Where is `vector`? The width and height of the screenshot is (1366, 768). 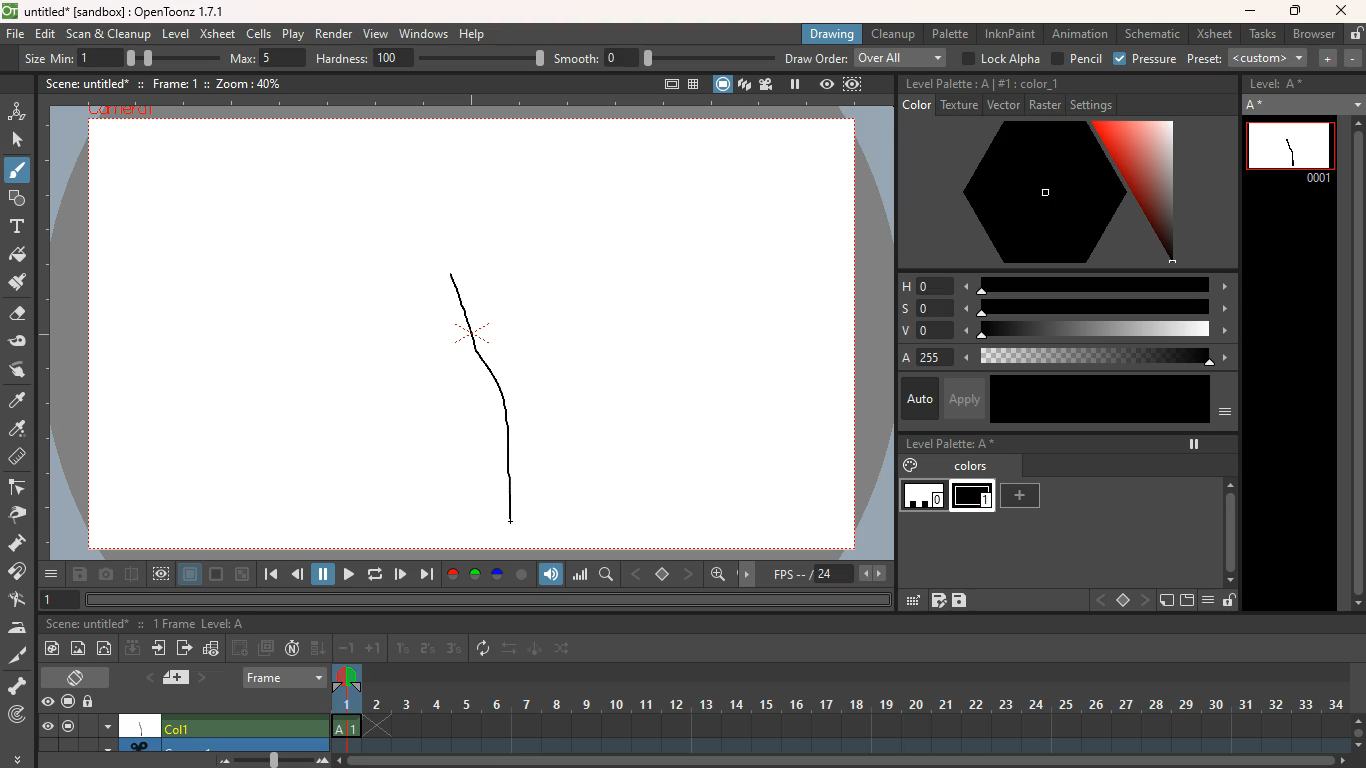 vector is located at coordinates (1001, 106).